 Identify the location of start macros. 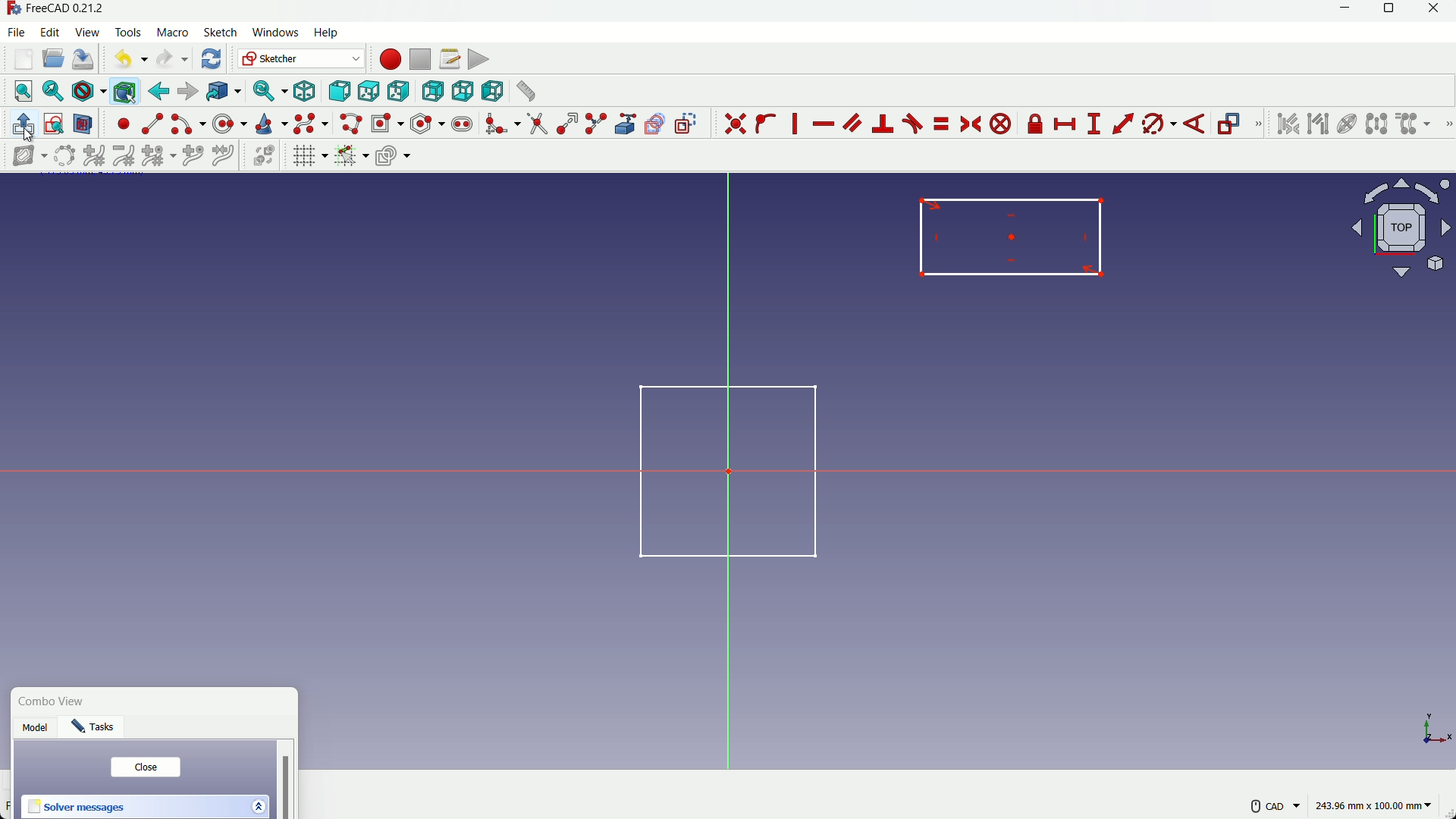
(389, 59).